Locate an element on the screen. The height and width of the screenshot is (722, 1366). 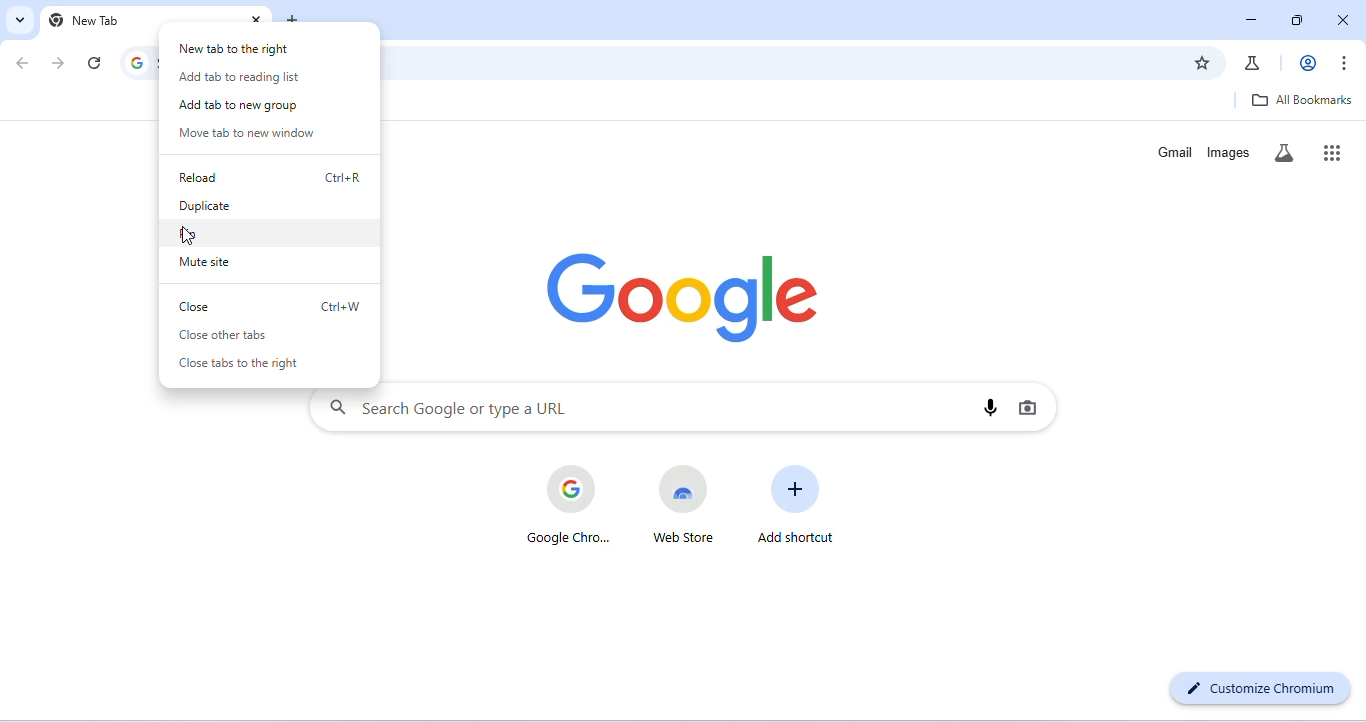
minimize is located at coordinates (1249, 22).